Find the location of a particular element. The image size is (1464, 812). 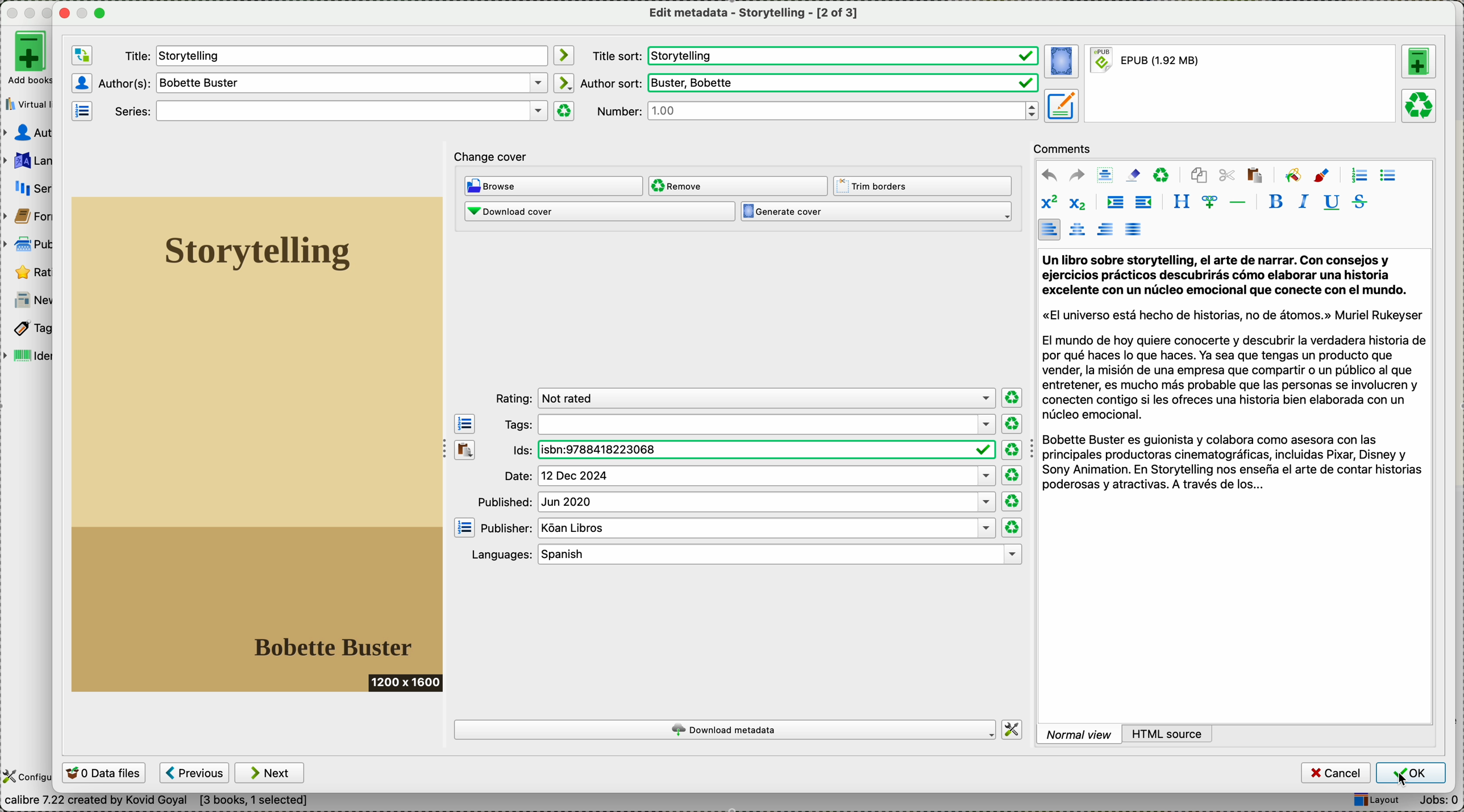

icon is located at coordinates (1292, 174).